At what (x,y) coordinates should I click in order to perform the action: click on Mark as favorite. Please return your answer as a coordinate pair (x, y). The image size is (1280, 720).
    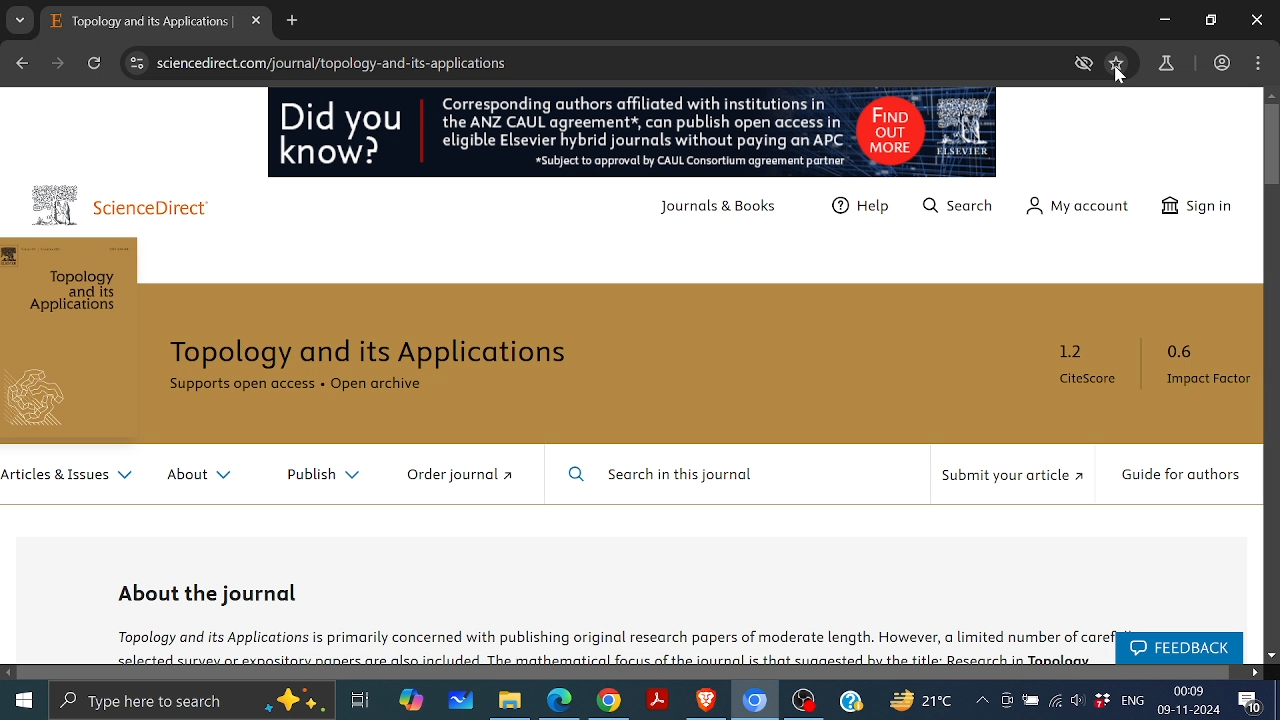
    Looking at the image, I should click on (1116, 62).